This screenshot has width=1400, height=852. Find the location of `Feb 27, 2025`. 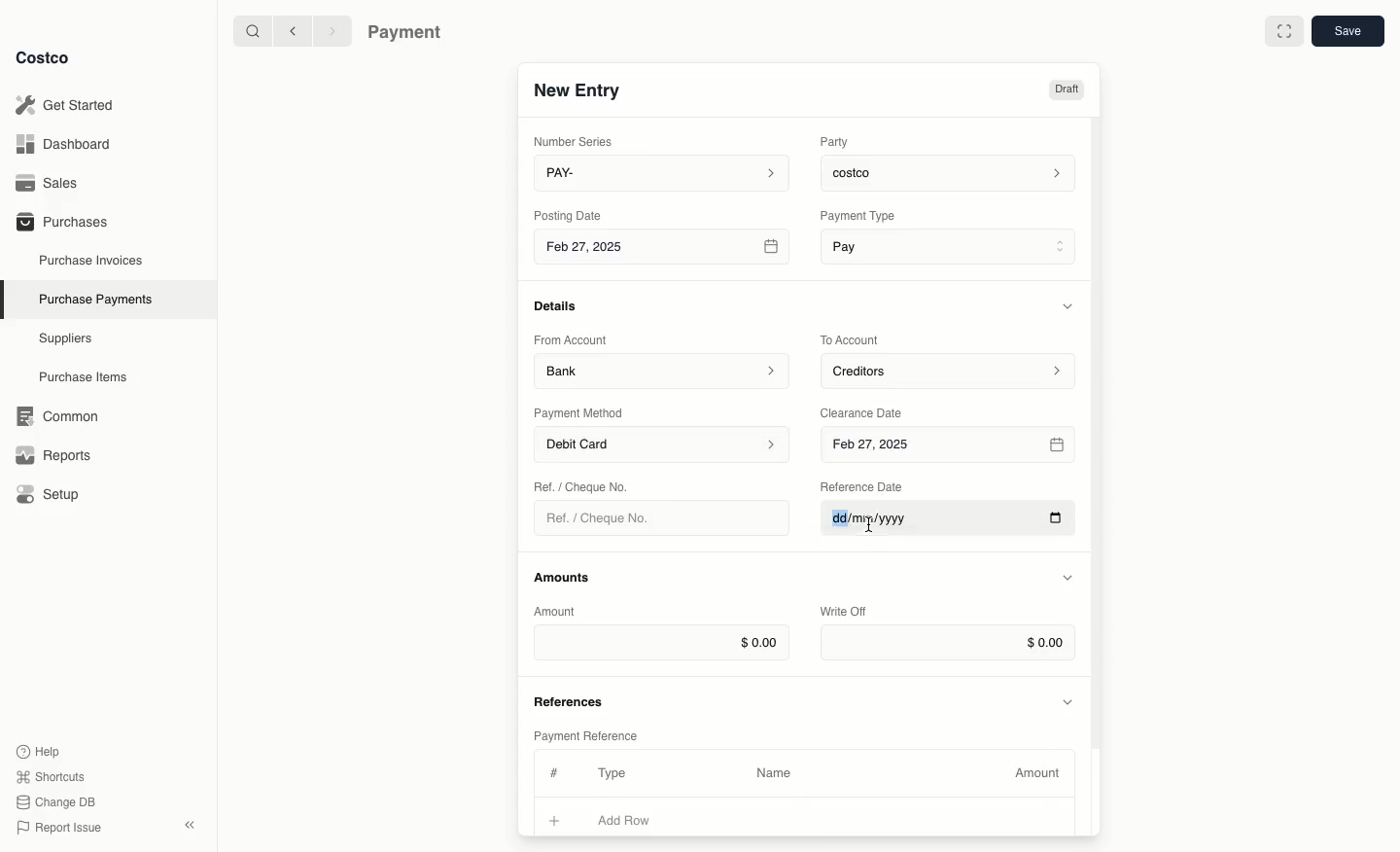

Feb 27, 2025 is located at coordinates (664, 250).